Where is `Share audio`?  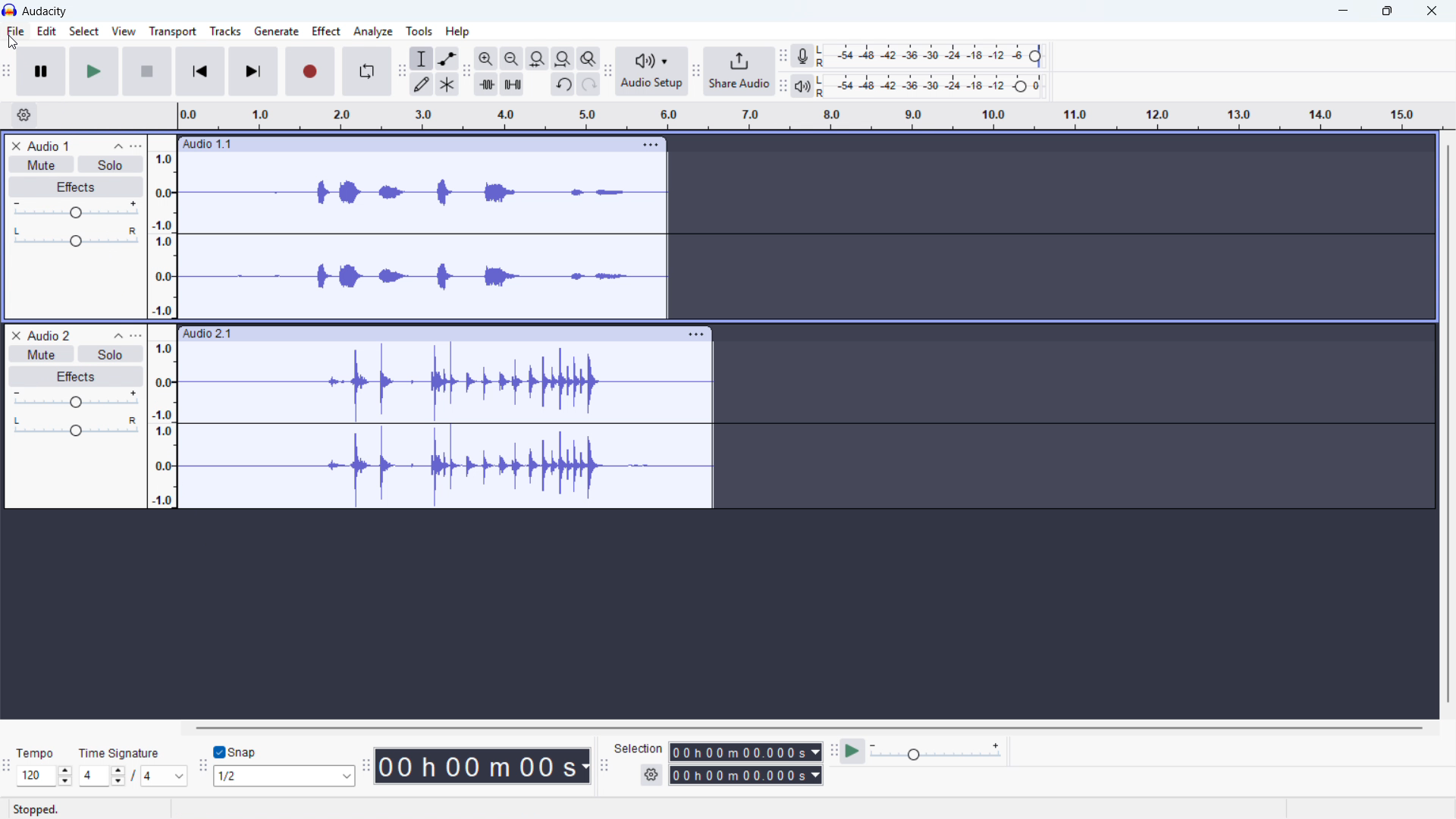
Share audio is located at coordinates (739, 71).